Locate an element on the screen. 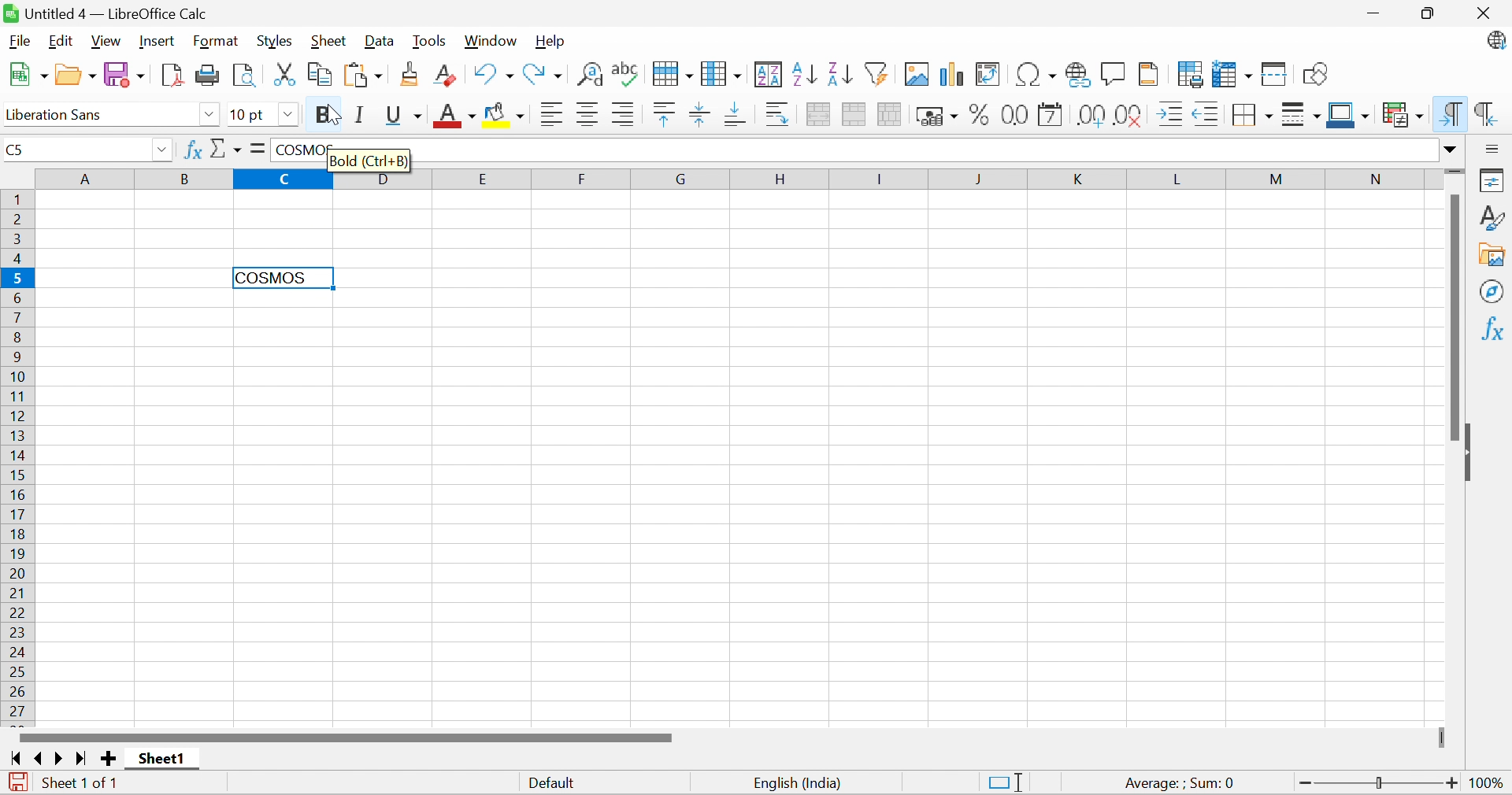 The width and height of the screenshot is (1512, 795). Minimize is located at coordinates (1373, 13).